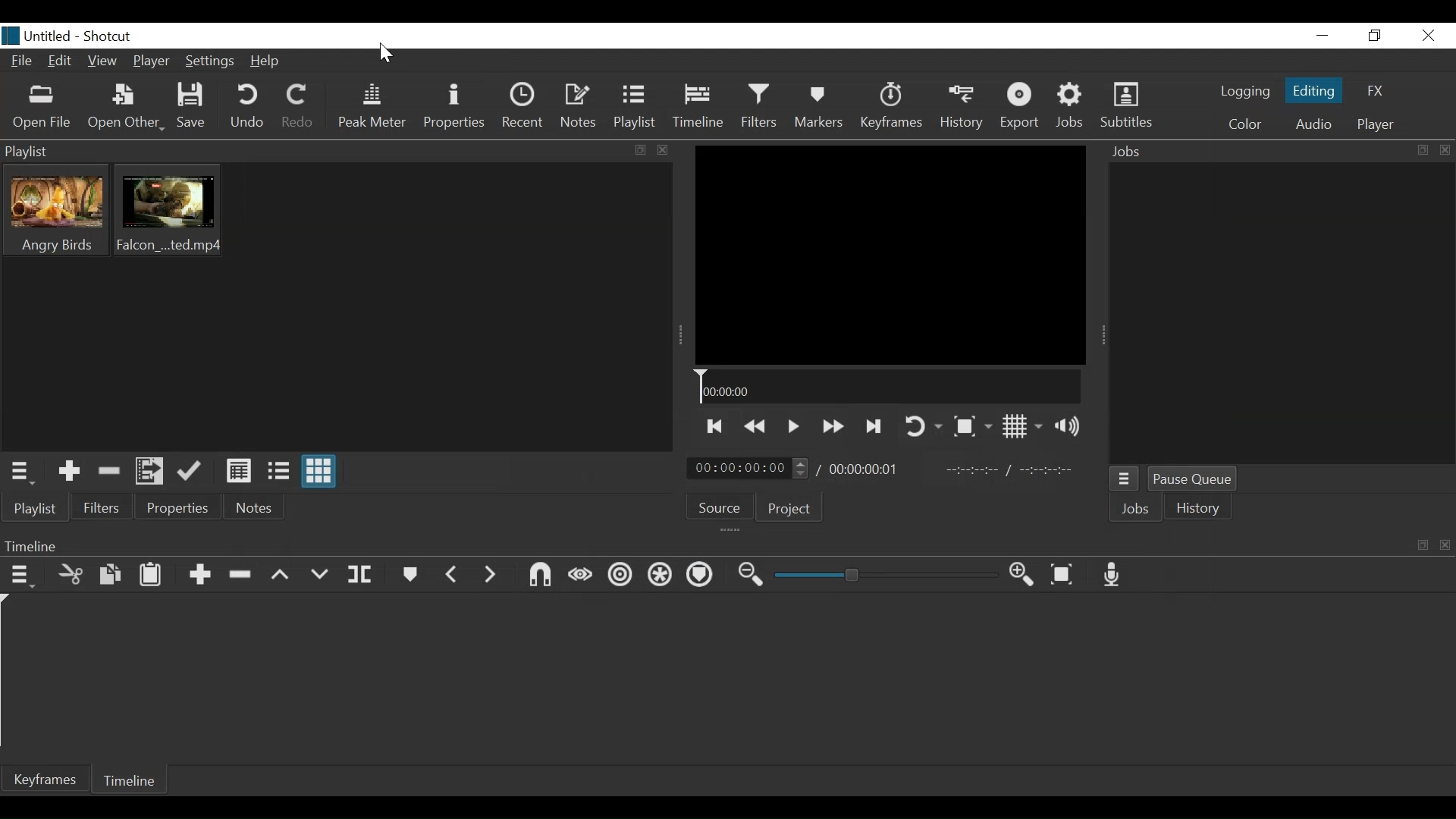 This screenshot has width=1456, height=819. What do you see at coordinates (971, 426) in the screenshot?
I see `Toggle Zoom` at bounding box center [971, 426].